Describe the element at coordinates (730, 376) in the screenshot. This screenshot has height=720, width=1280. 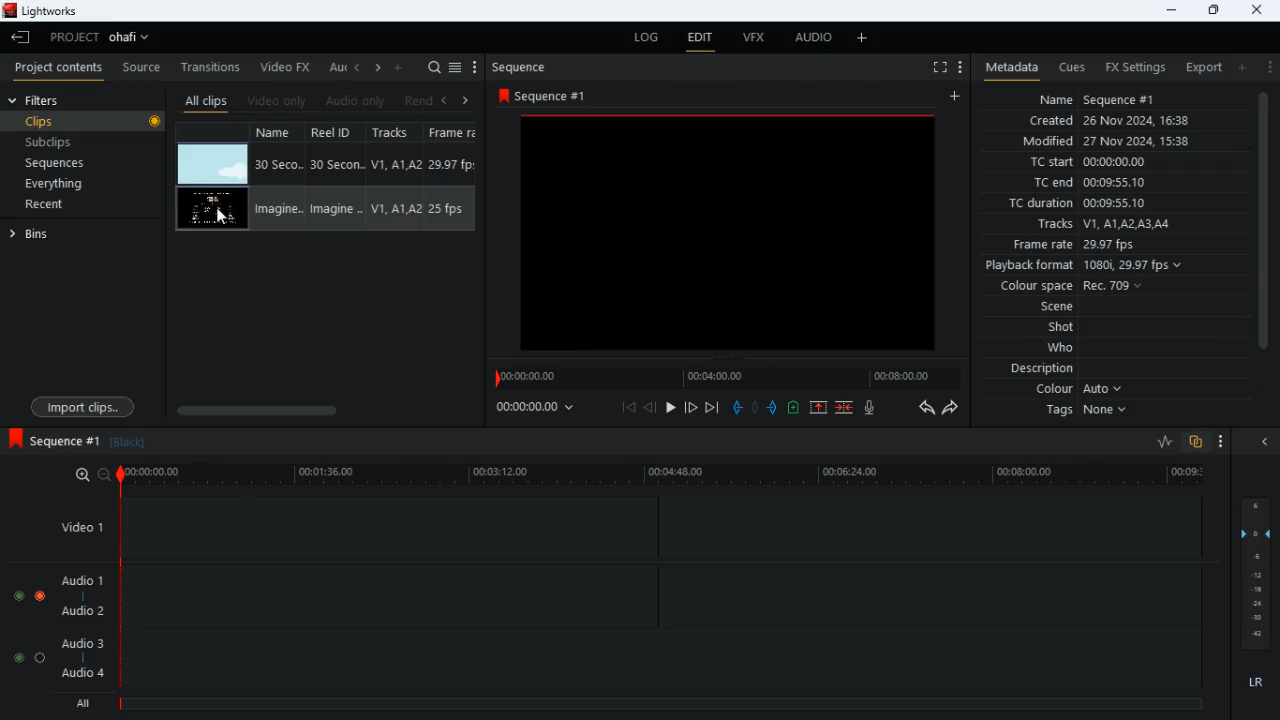
I see `timeline` at that location.